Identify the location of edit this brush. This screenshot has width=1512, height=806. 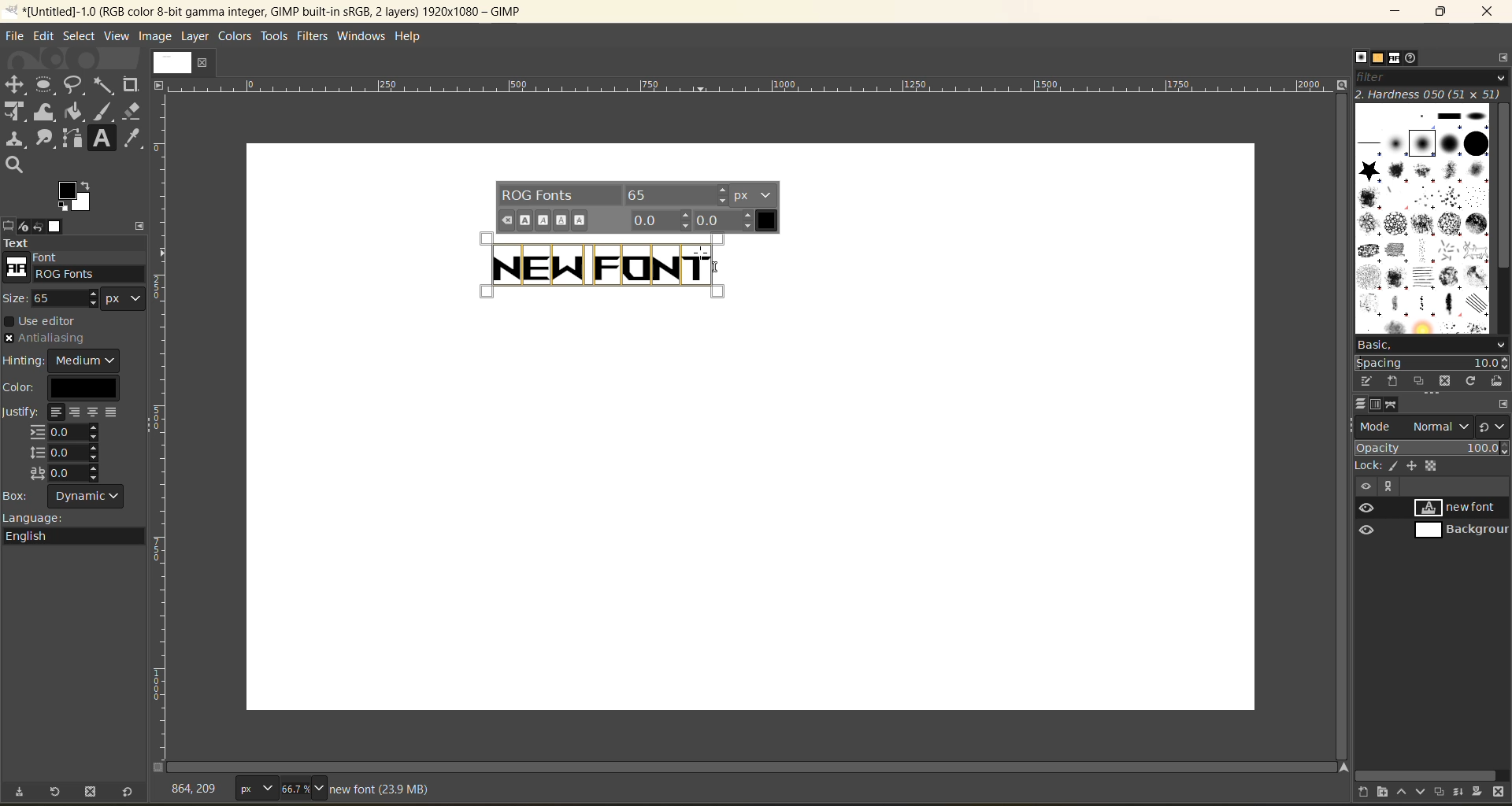
(1369, 379).